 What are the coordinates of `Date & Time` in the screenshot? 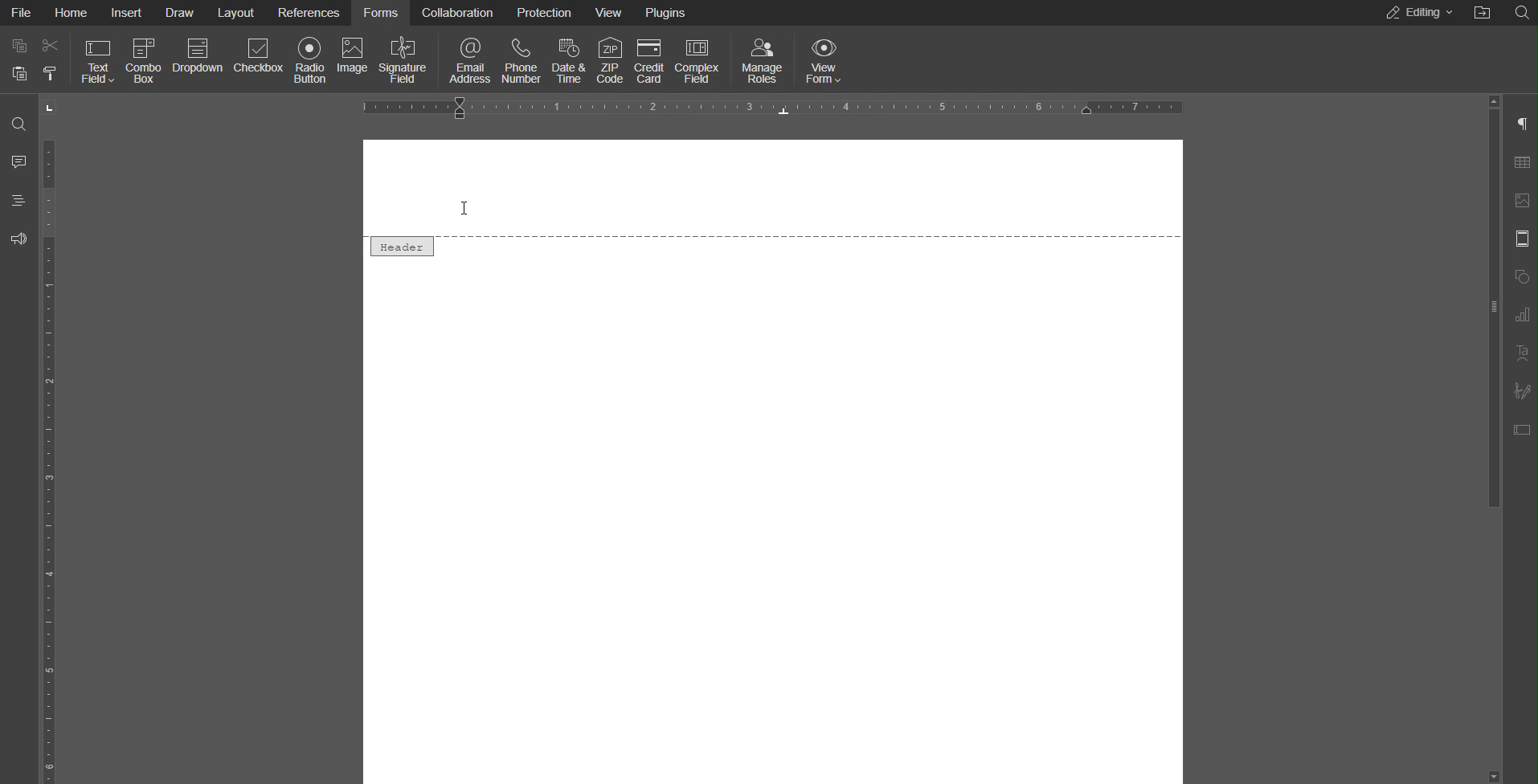 It's located at (570, 57).